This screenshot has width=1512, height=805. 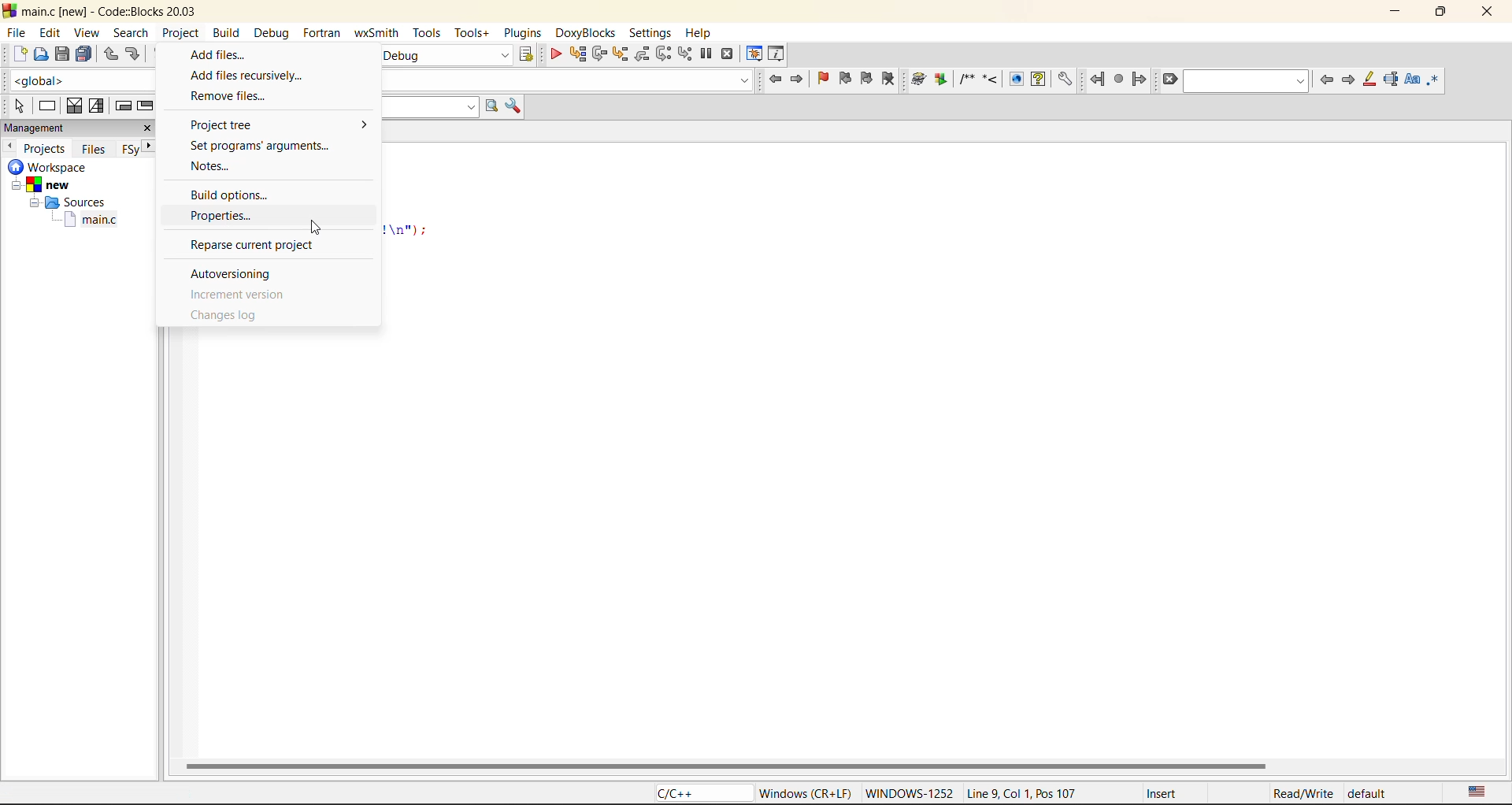 I want to click on remove files, so click(x=229, y=98).